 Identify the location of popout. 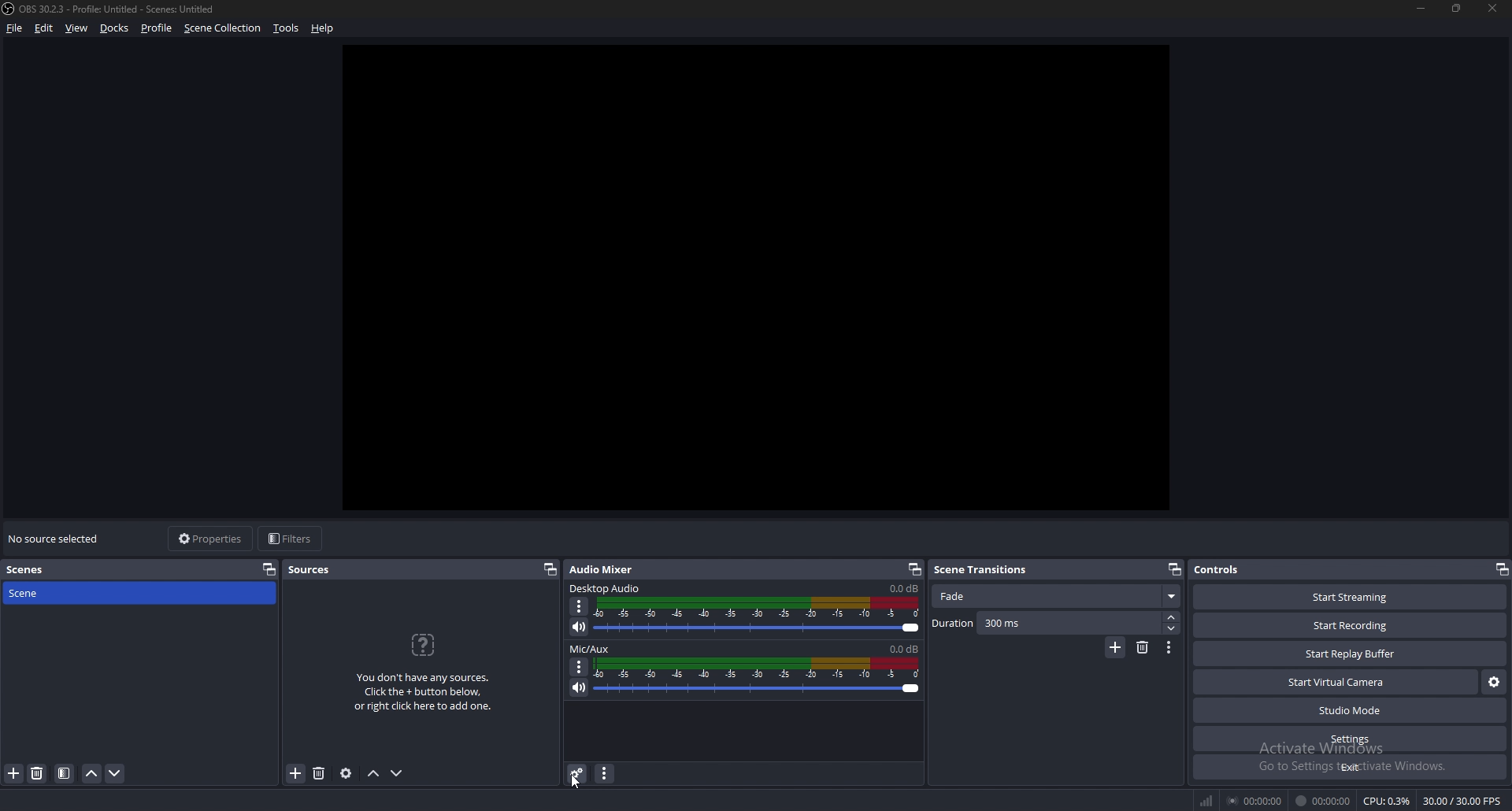
(548, 570).